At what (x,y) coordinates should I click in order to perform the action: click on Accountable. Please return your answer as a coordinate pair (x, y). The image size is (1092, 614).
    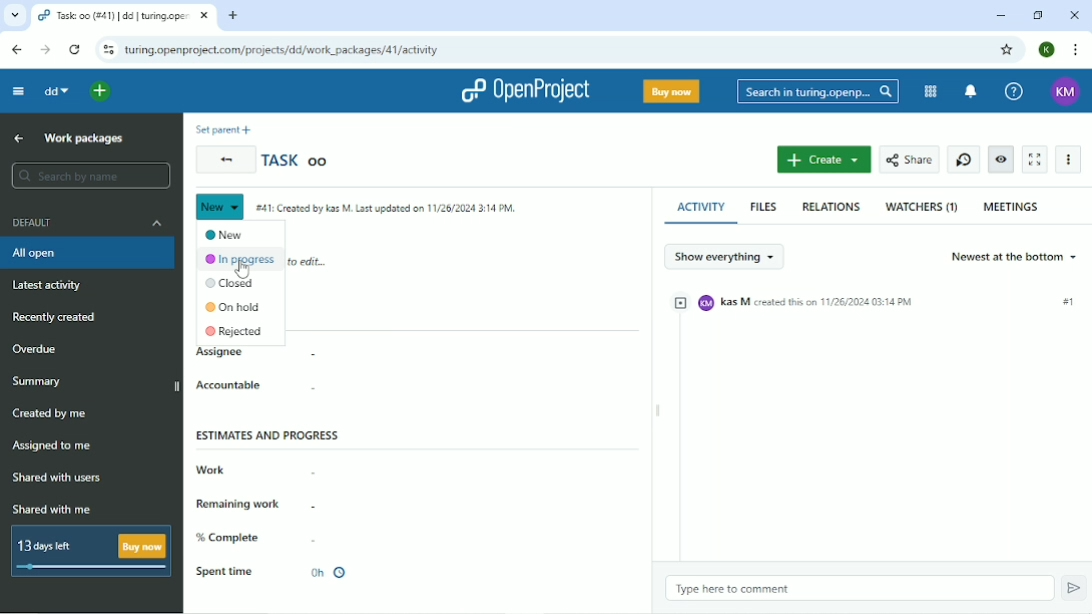
    Looking at the image, I should click on (231, 385).